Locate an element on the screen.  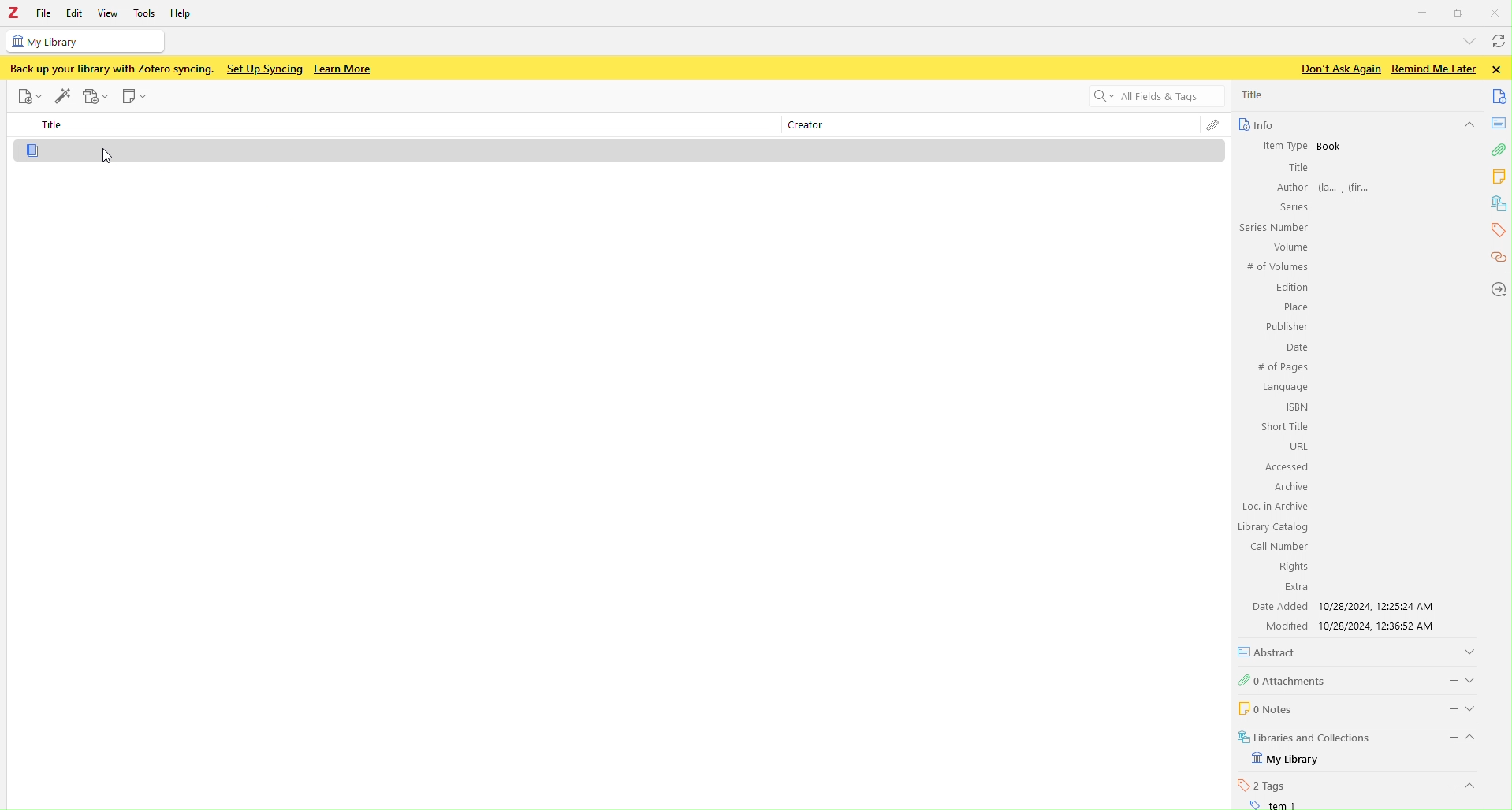
File is located at coordinates (28, 96).